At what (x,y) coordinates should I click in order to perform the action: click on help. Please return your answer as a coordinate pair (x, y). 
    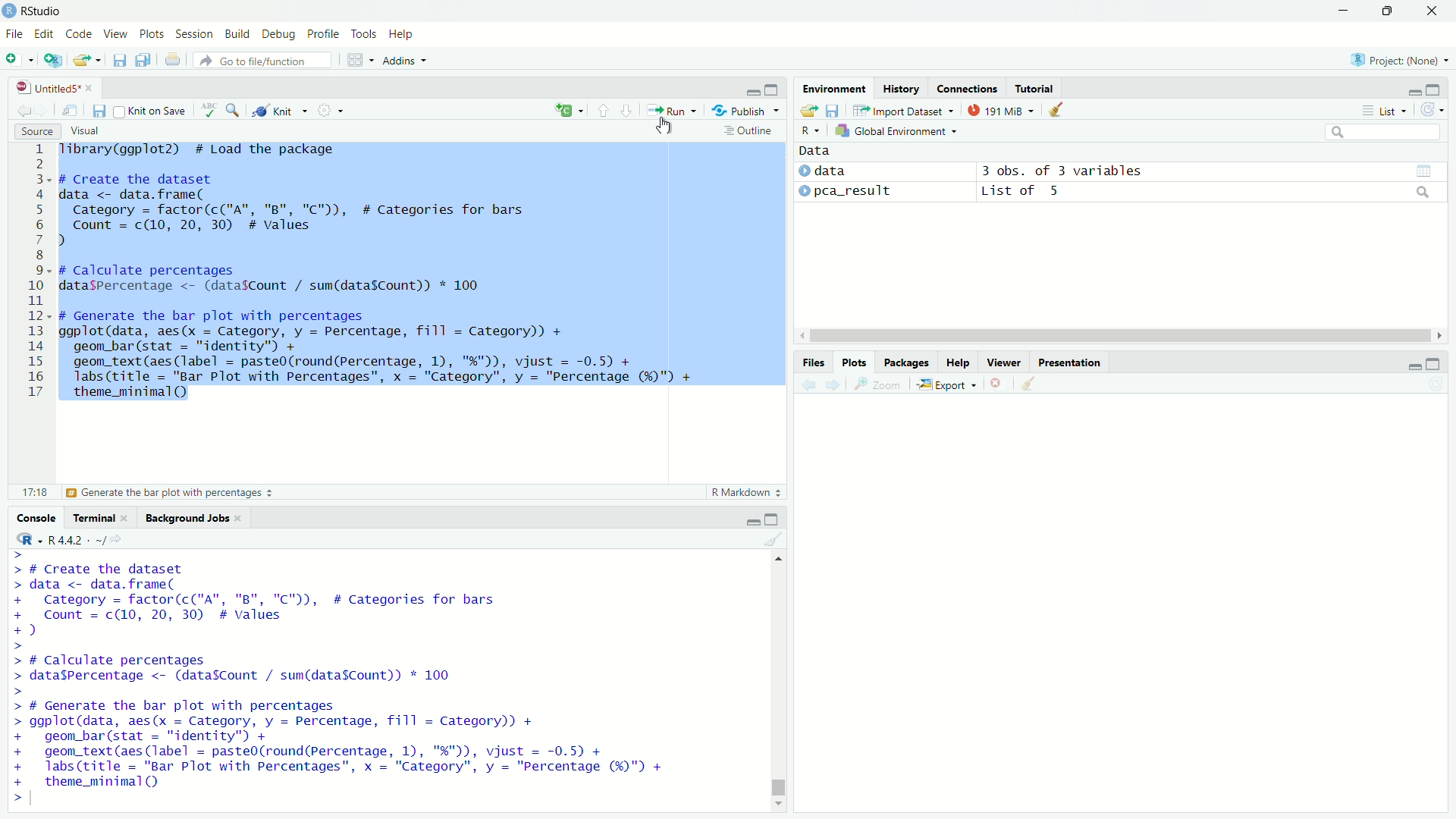
    Looking at the image, I should click on (403, 35).